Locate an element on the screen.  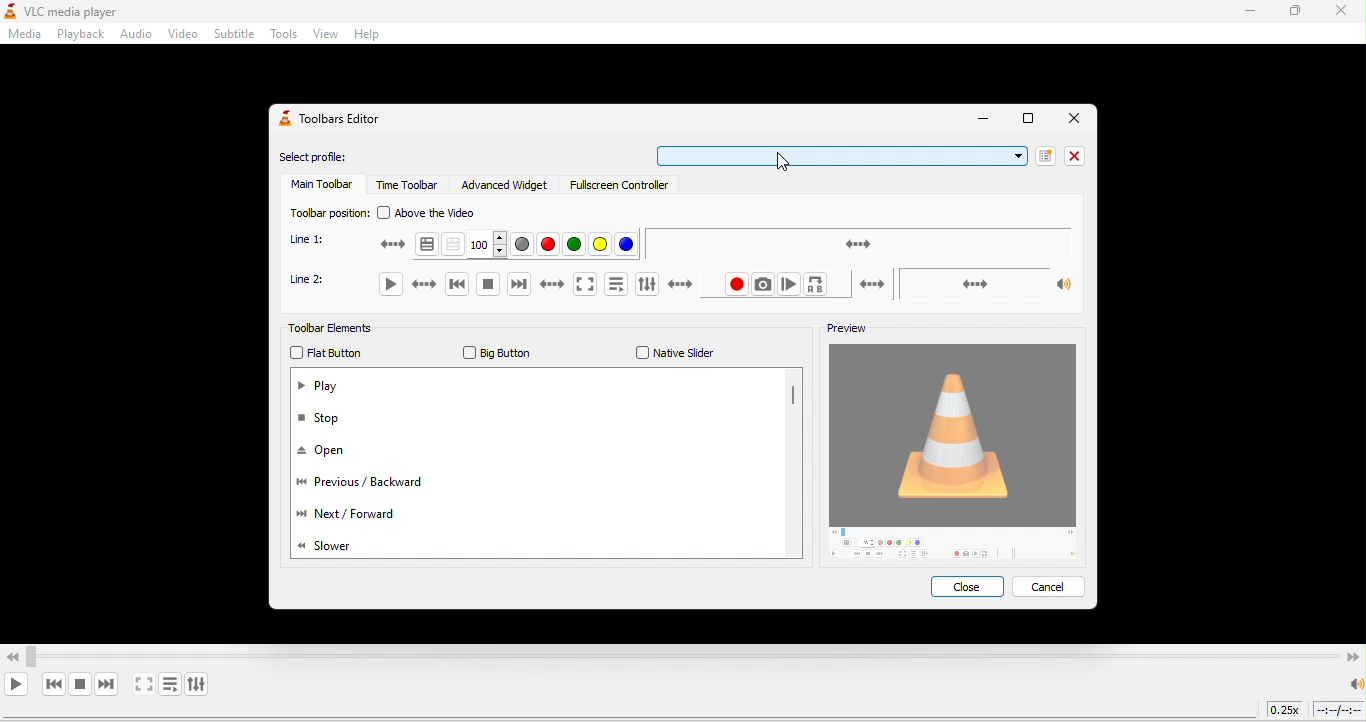
toggle playlist is located at coordinates (171, 684).